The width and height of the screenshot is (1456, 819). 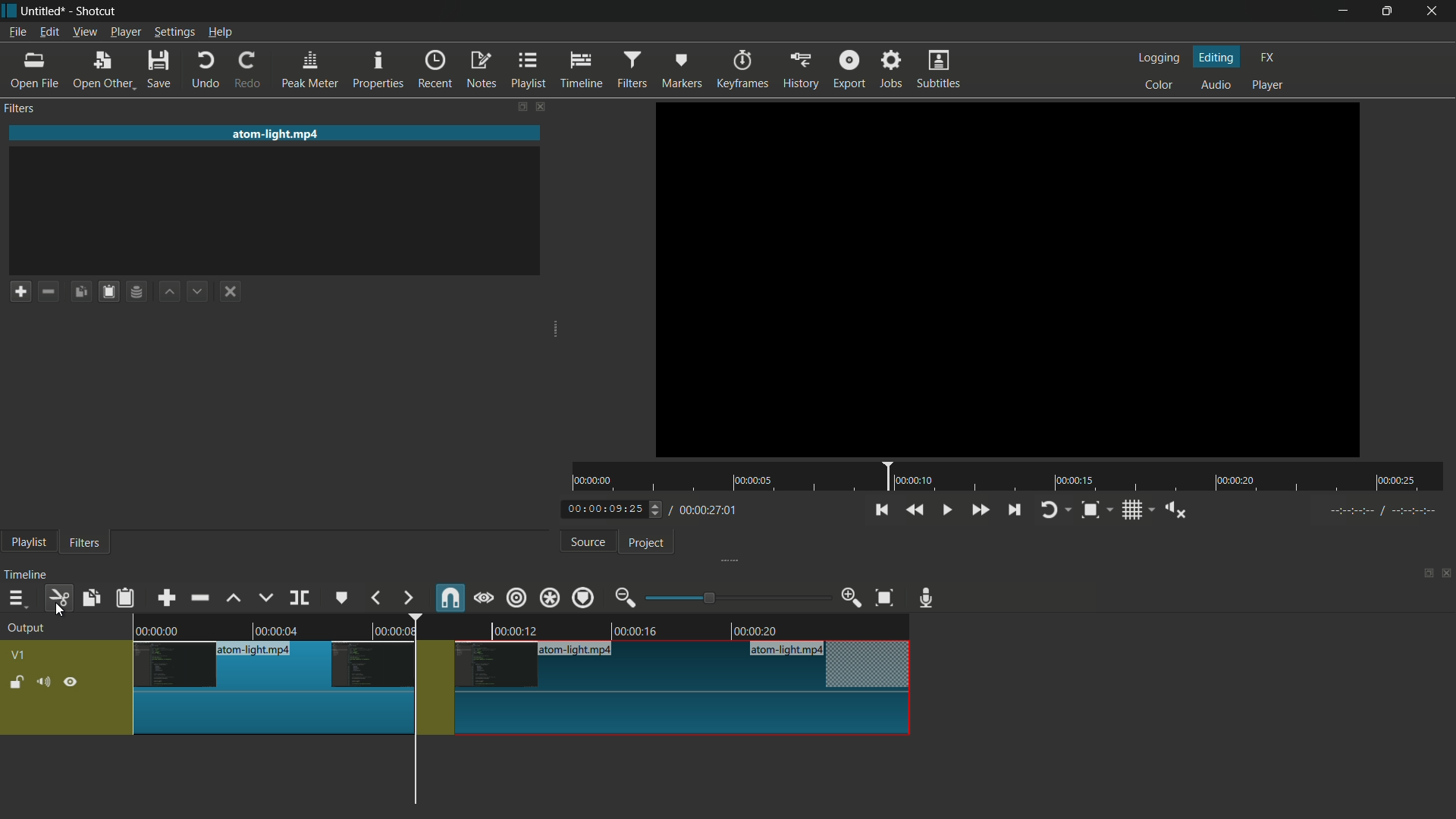 I want to click on paste filters, so click(x=111, y=291).